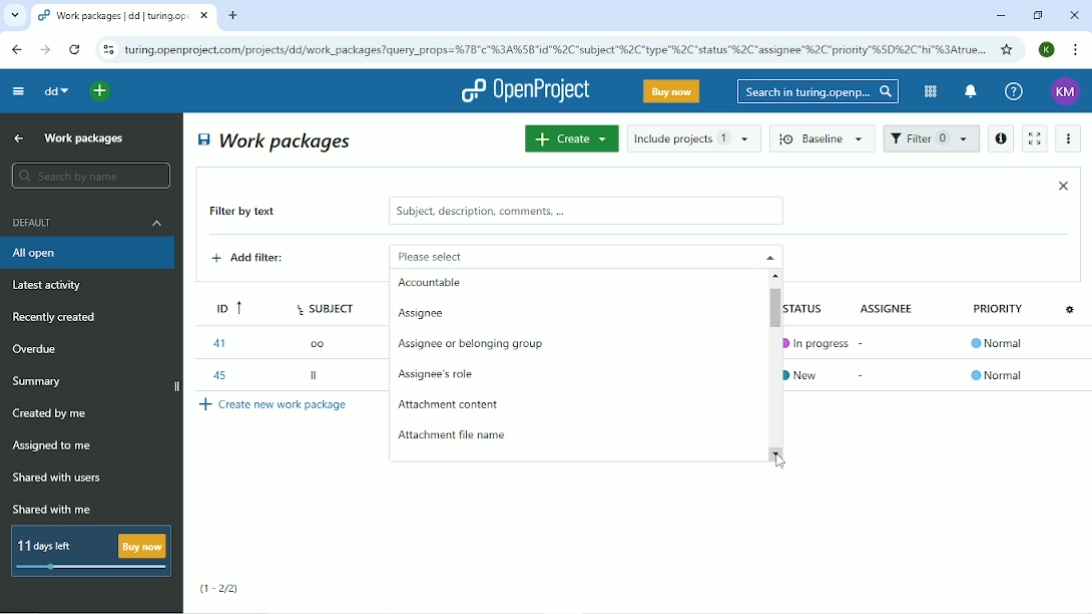 The width and height of the screenshot is (1092, 614). Describe the element at coordinates (1070, 139) in the screenshot. I see `More actions` at that location.